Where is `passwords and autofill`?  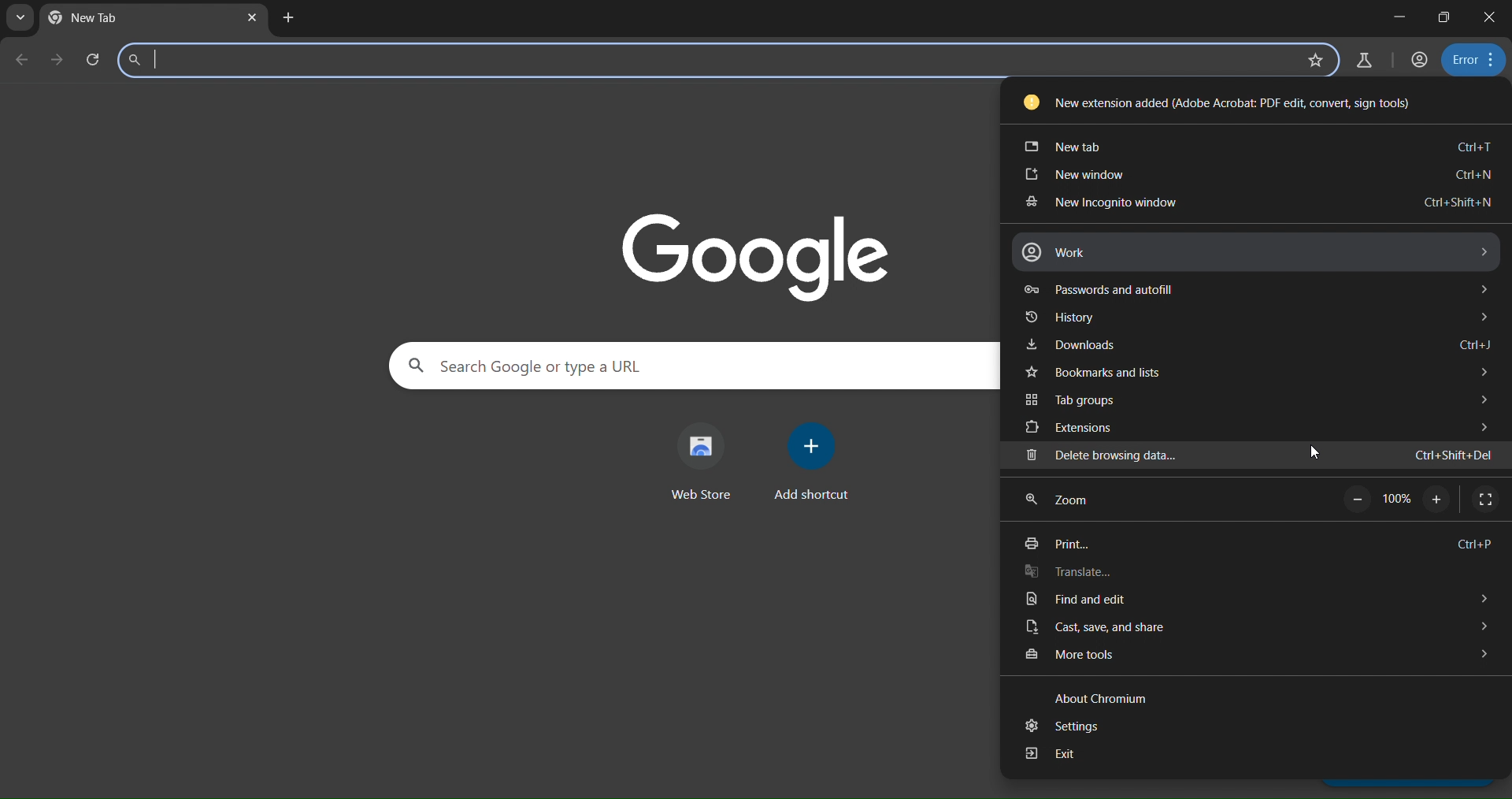
passwords and autofill is located at coordinates (1253, 289).